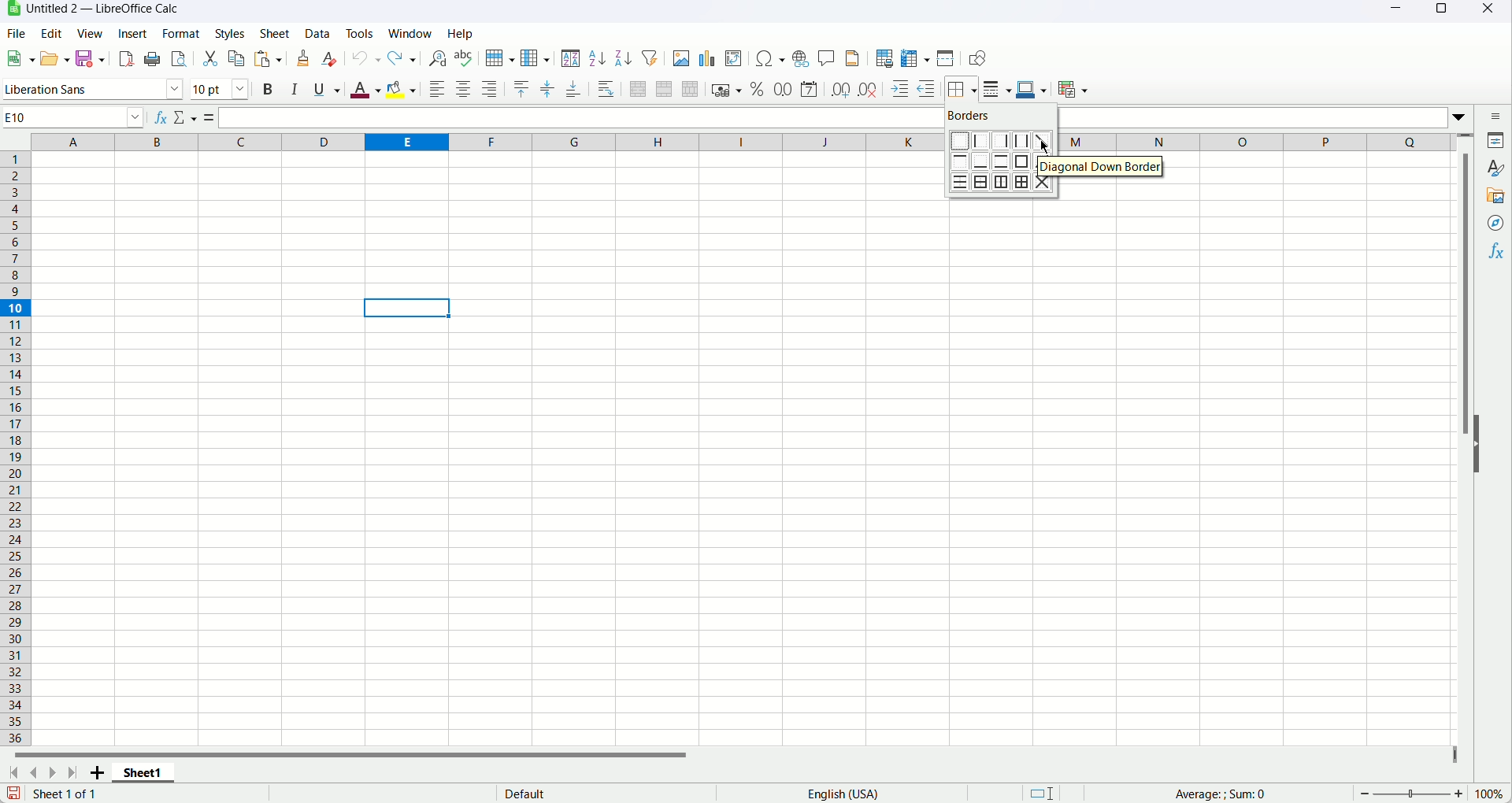 This screenshot has height=803, width=1512. What do you see at coordinates (304, 57) in the screenshot?
I see `Clone formatting` at bounding box center [304, 57].